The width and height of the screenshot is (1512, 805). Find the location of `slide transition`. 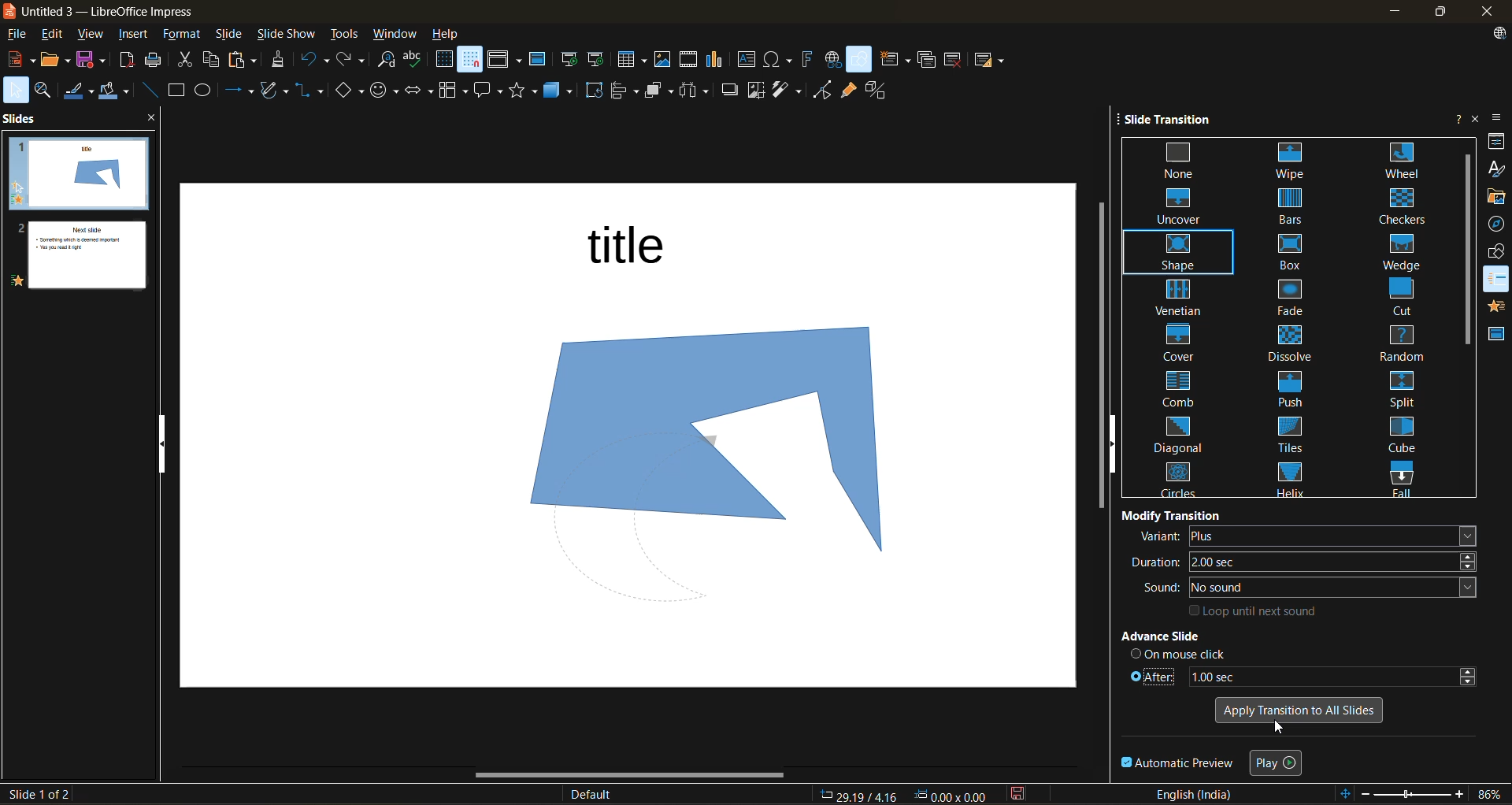

slide transition is located at coordinates (1175, 121).